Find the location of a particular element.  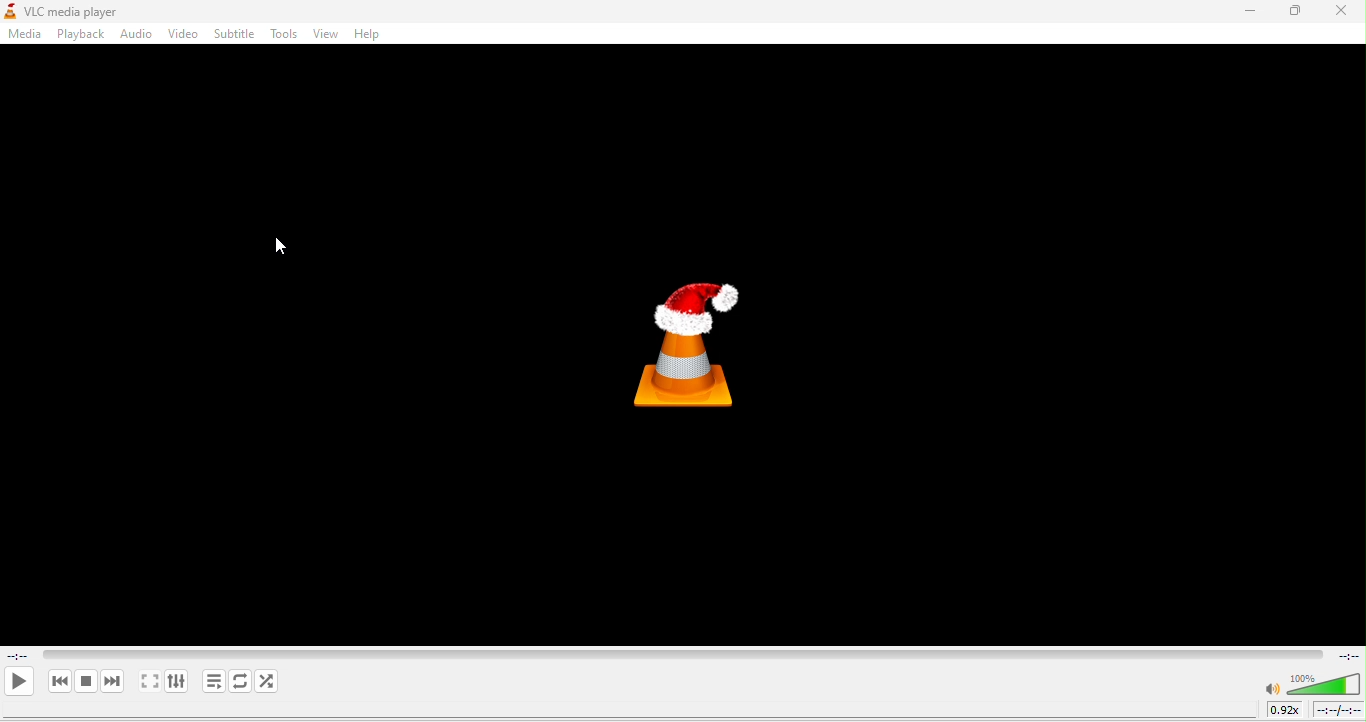

view is located at coordinates (327, 33).